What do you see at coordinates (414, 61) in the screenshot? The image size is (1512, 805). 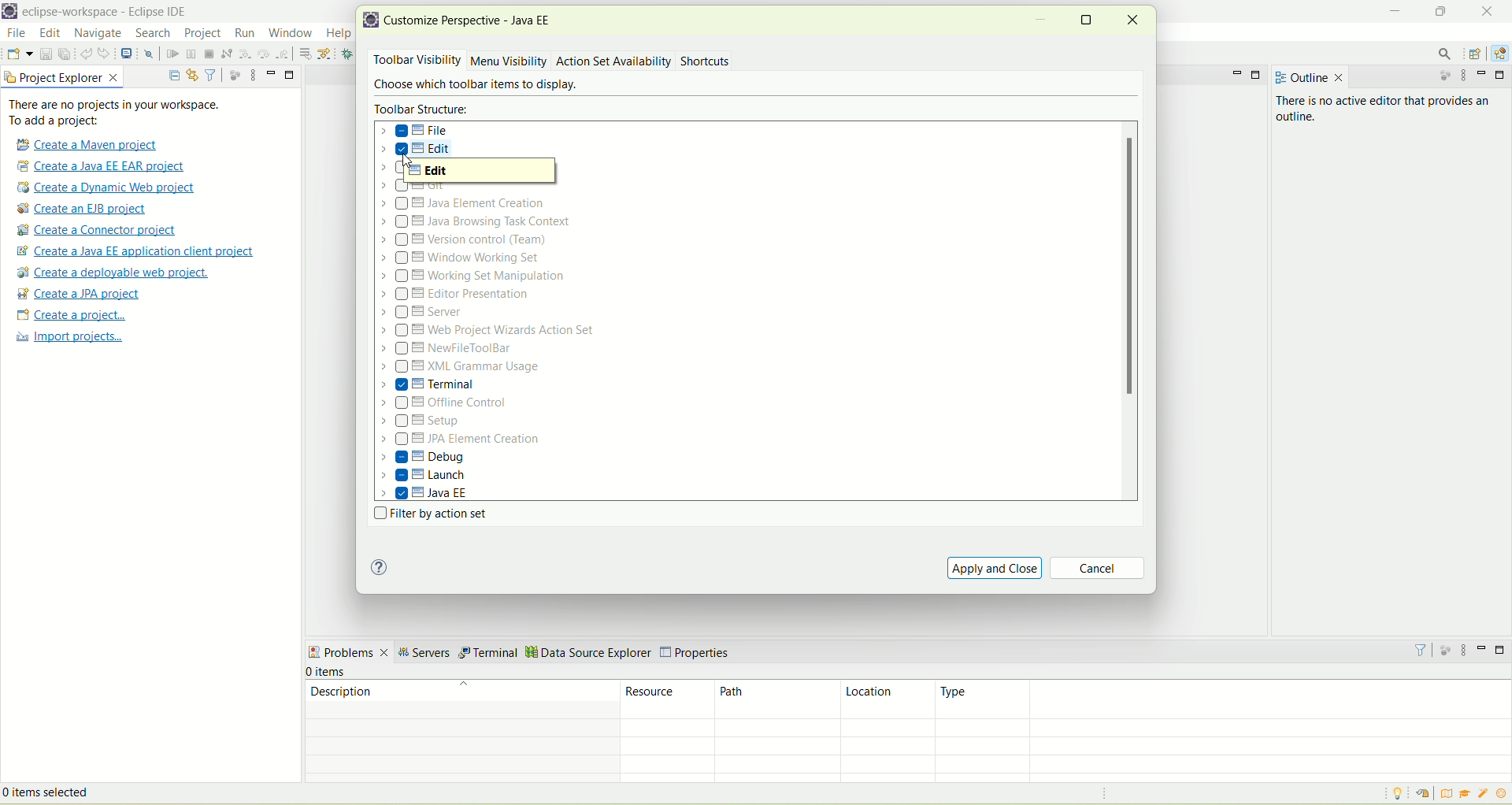 I see `toolbar visibility` at bounding box center [414, 61].